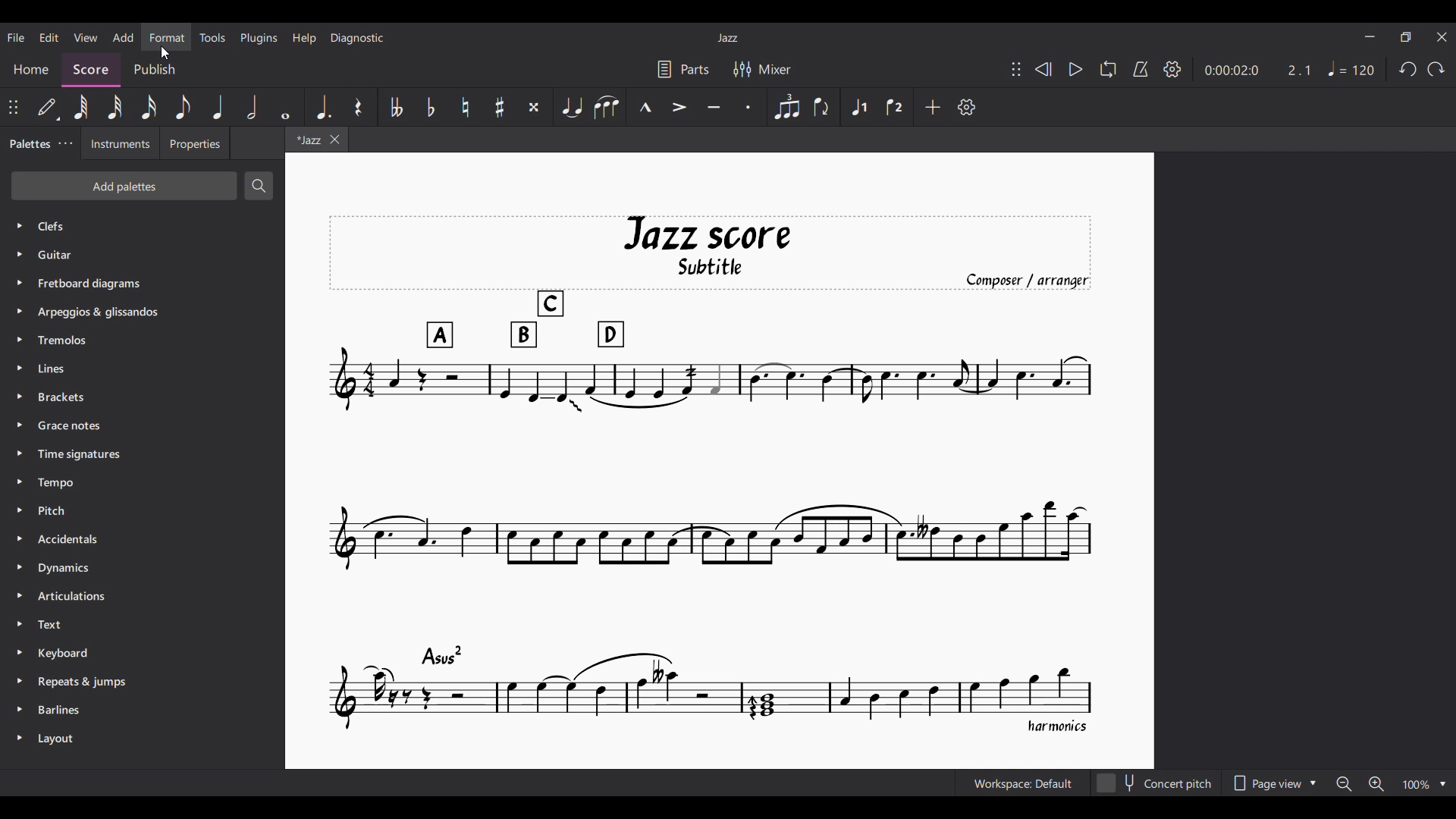  What do you see at coordinates (1407, 69) in the screenshot?
I see `Undo` at bounding box center [1407, 69].